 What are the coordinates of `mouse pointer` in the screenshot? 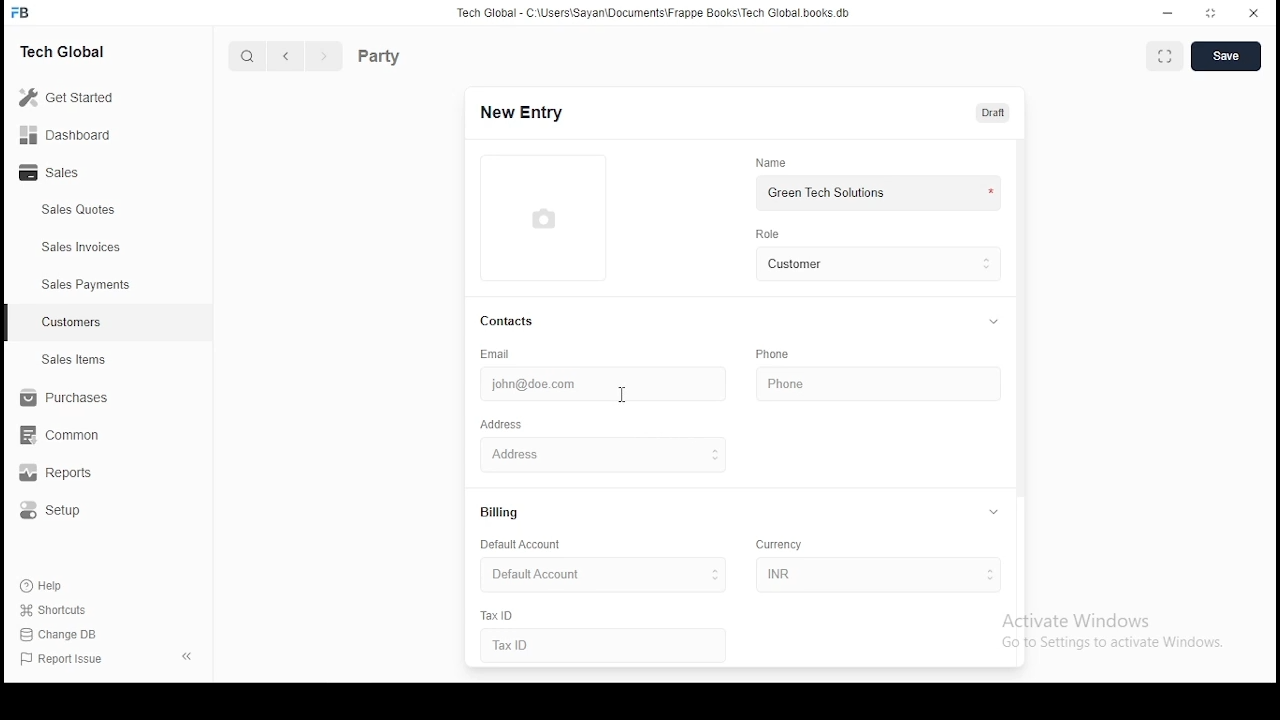 It's located at (625, 395).